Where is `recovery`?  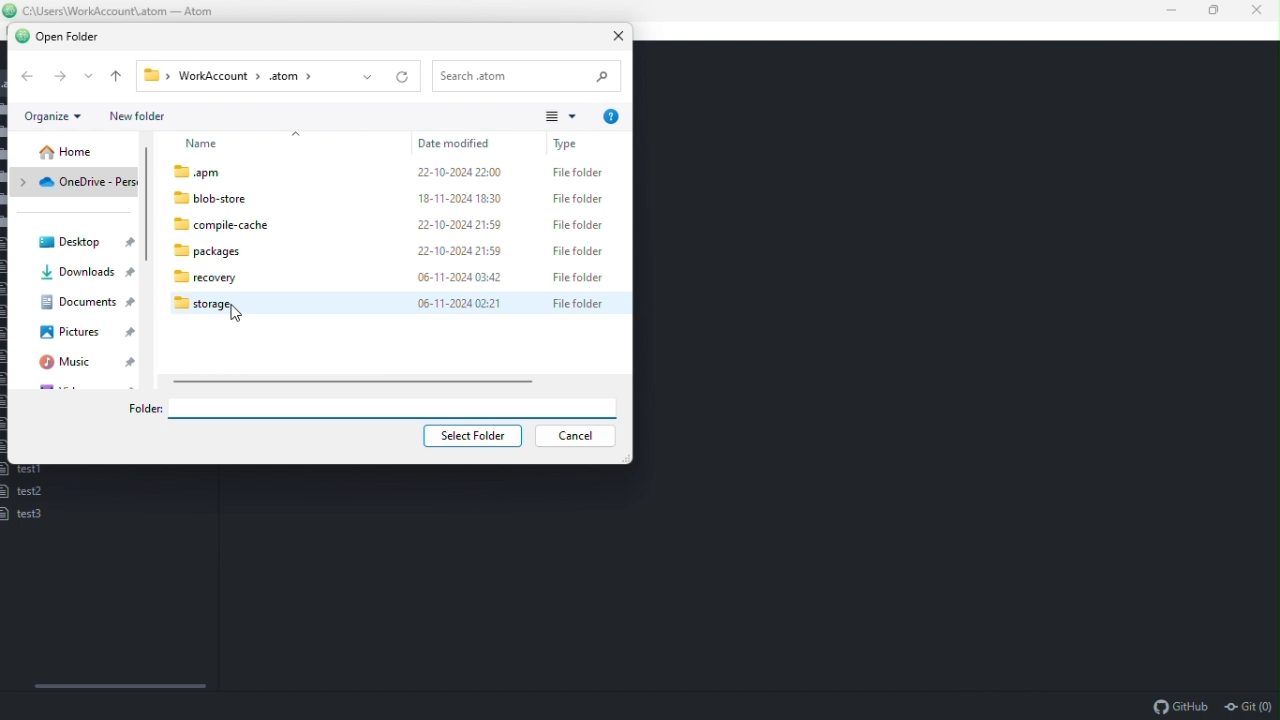
recovery is located at coordinates (390, 280).